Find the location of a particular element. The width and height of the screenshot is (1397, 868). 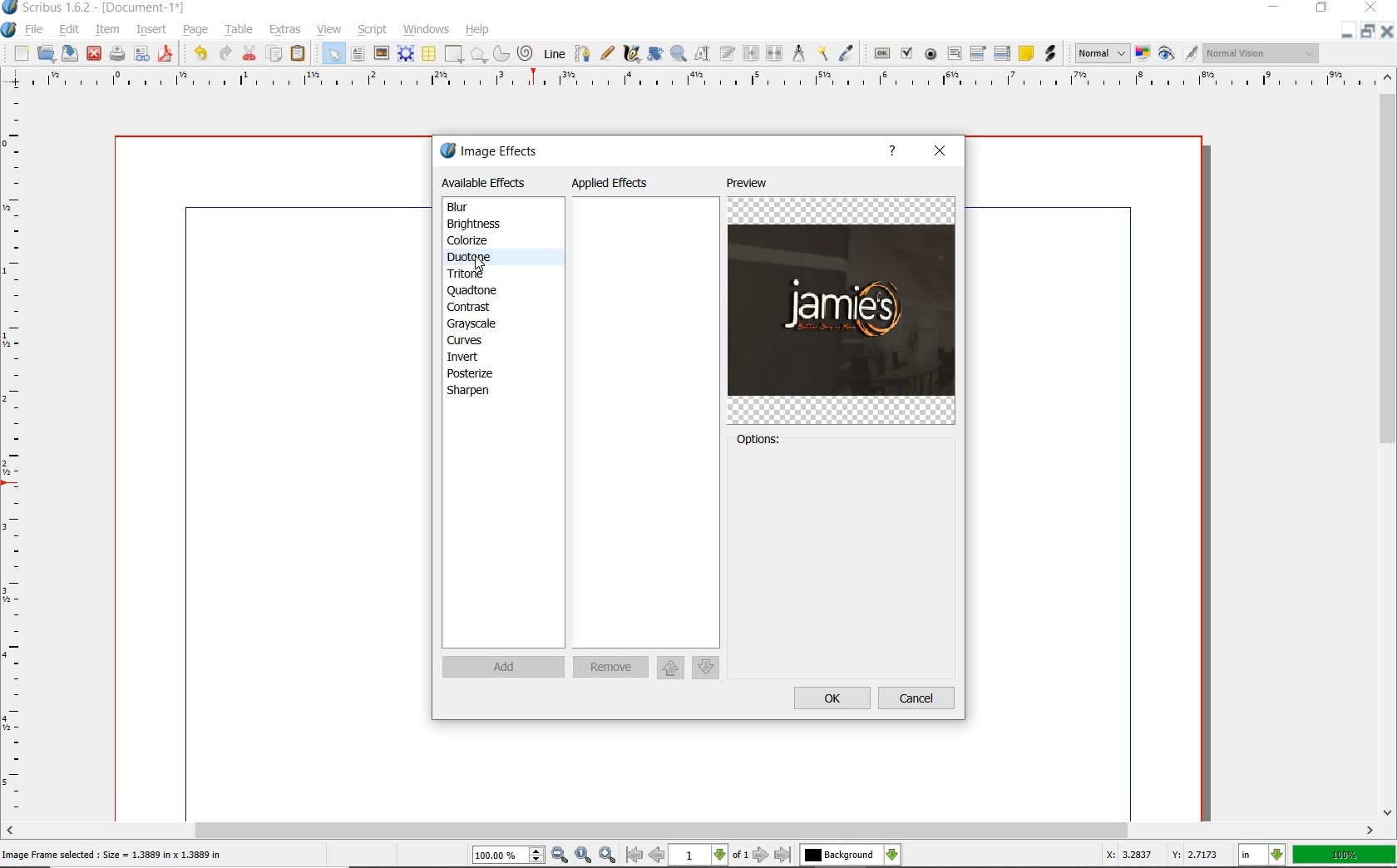

blur is located at coordinates (458, 207).